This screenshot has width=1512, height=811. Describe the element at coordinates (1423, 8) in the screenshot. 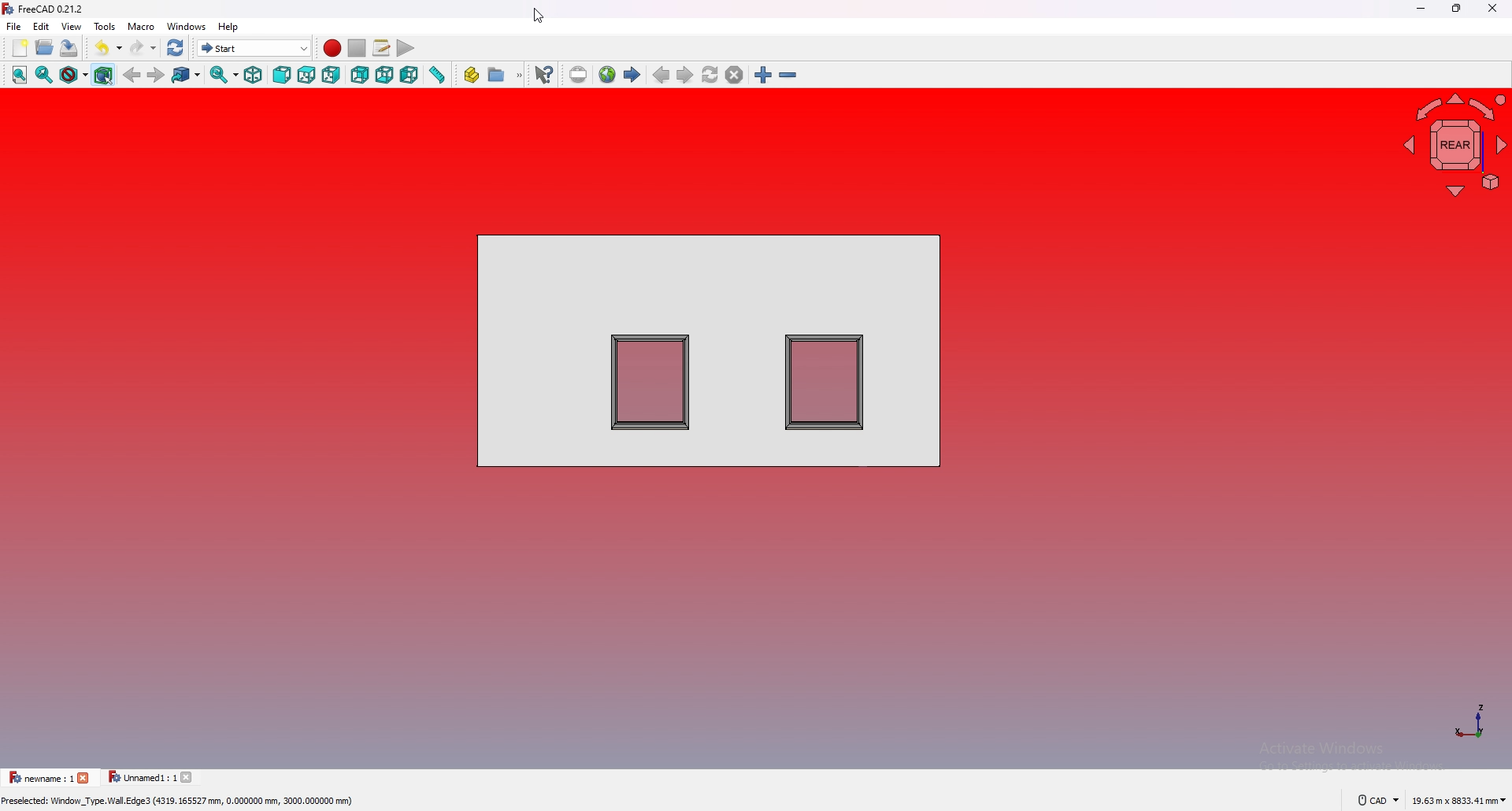

I see `minimize` at that location.